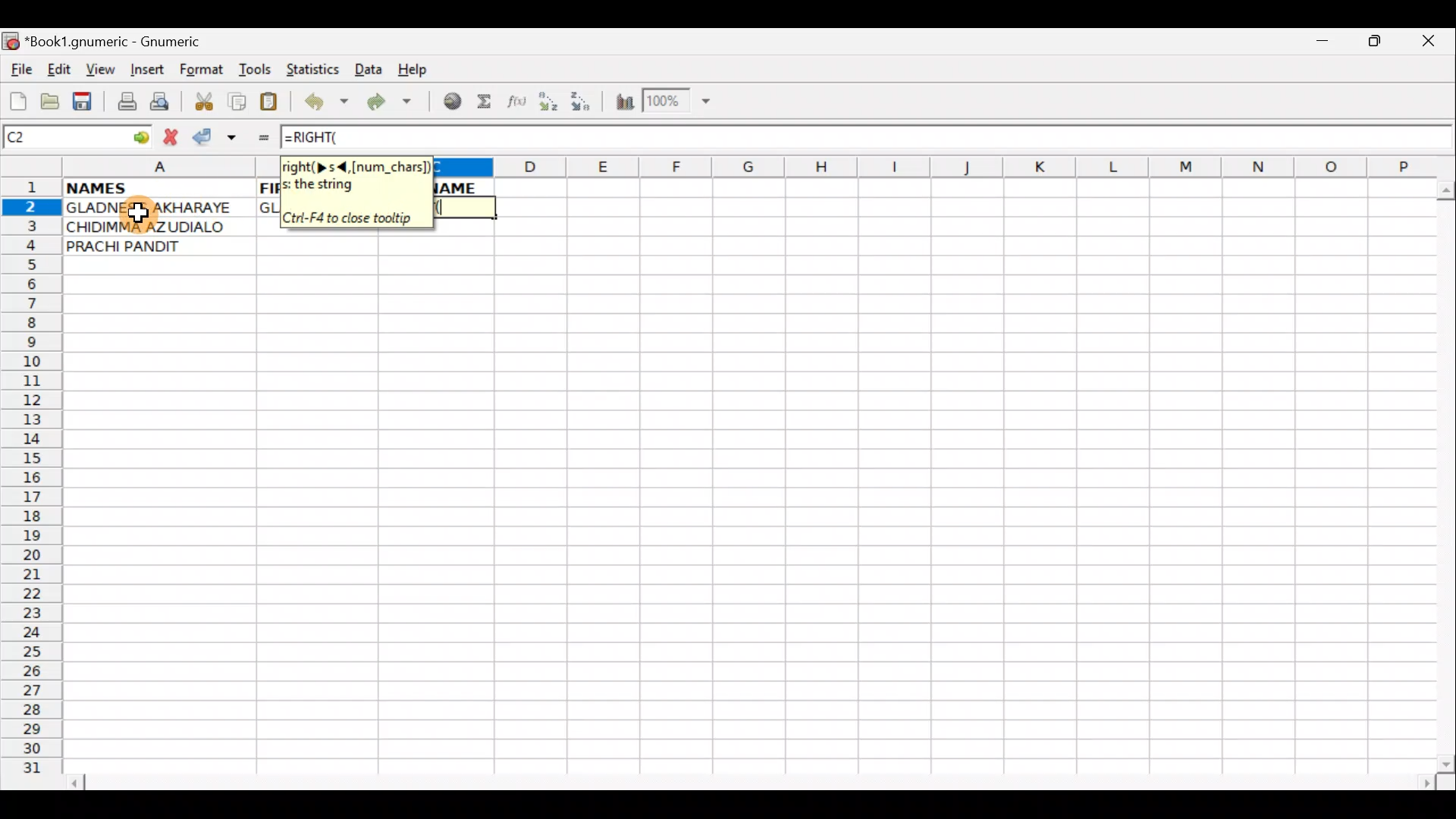 The image size is (1456, 819). Describe the element at coordinates (333, 137) in the screenshot. I see `=RIGHT(` at that location.